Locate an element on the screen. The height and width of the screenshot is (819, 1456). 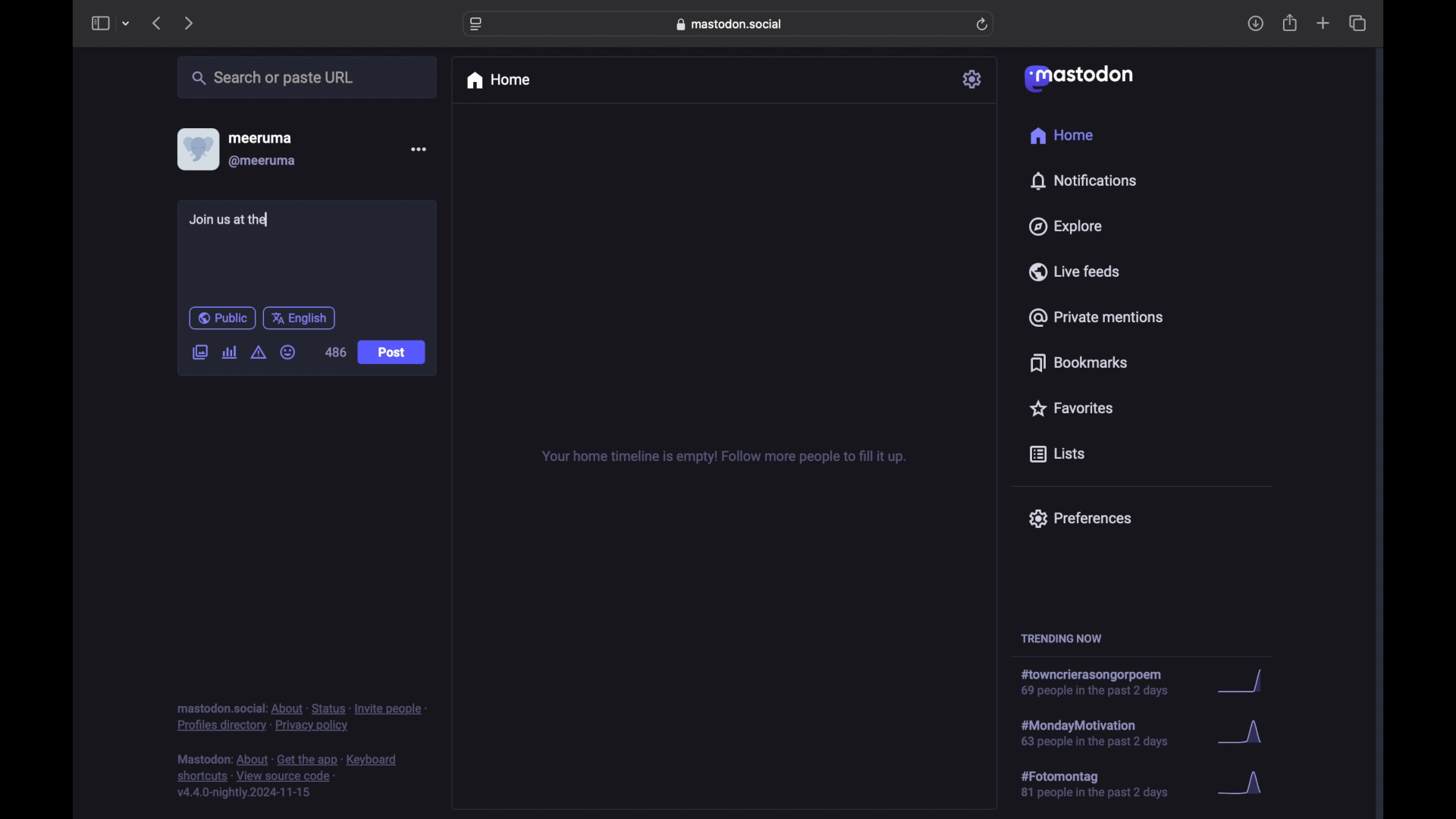
refresh is located at coordinates (984, 25).